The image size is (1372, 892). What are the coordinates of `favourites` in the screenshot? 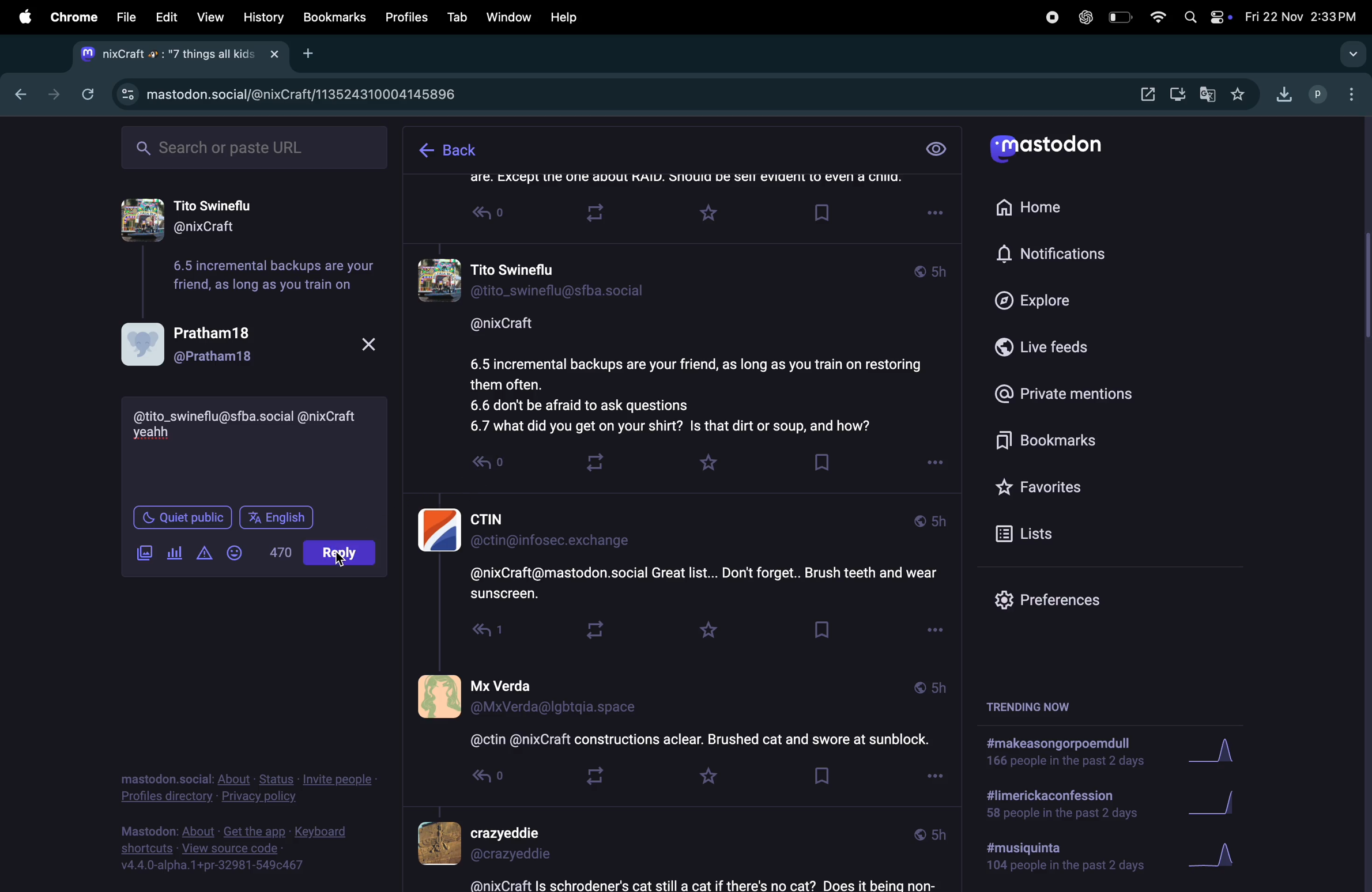 It's located at (707, 464).